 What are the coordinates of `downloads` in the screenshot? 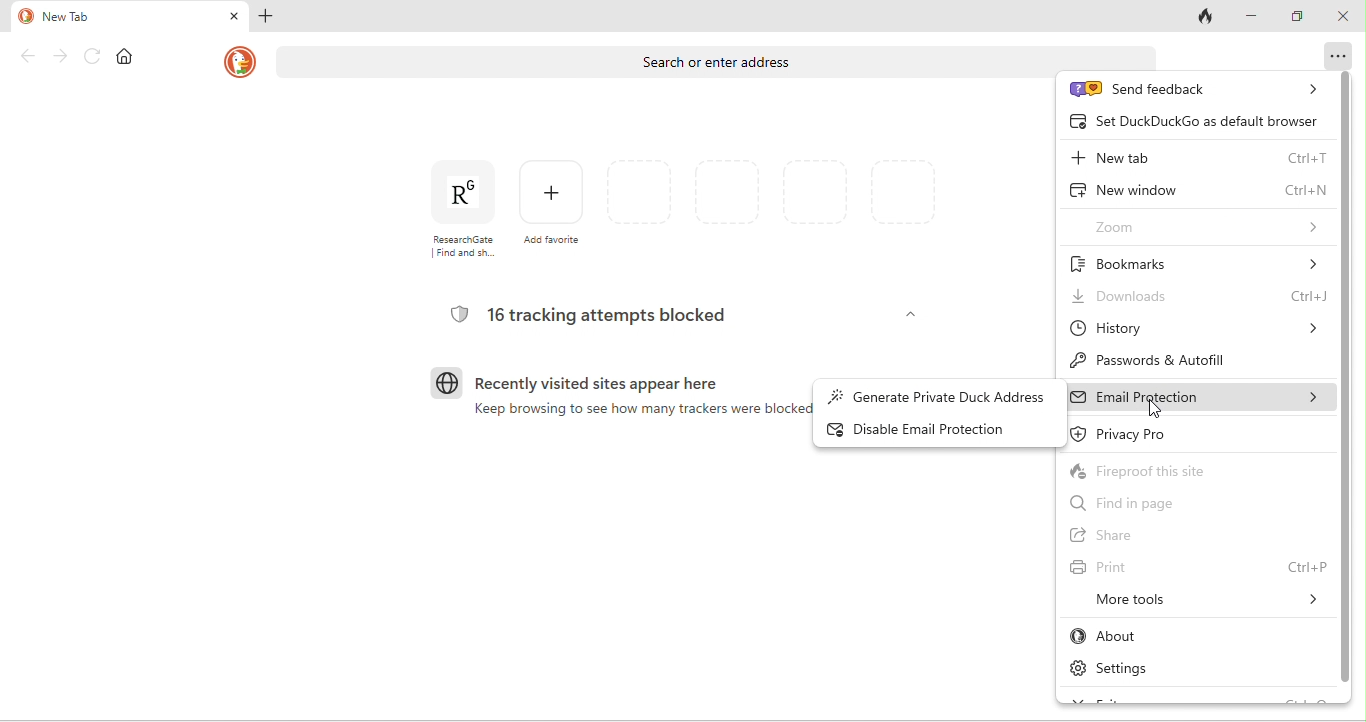 It's located at (1196, 297).